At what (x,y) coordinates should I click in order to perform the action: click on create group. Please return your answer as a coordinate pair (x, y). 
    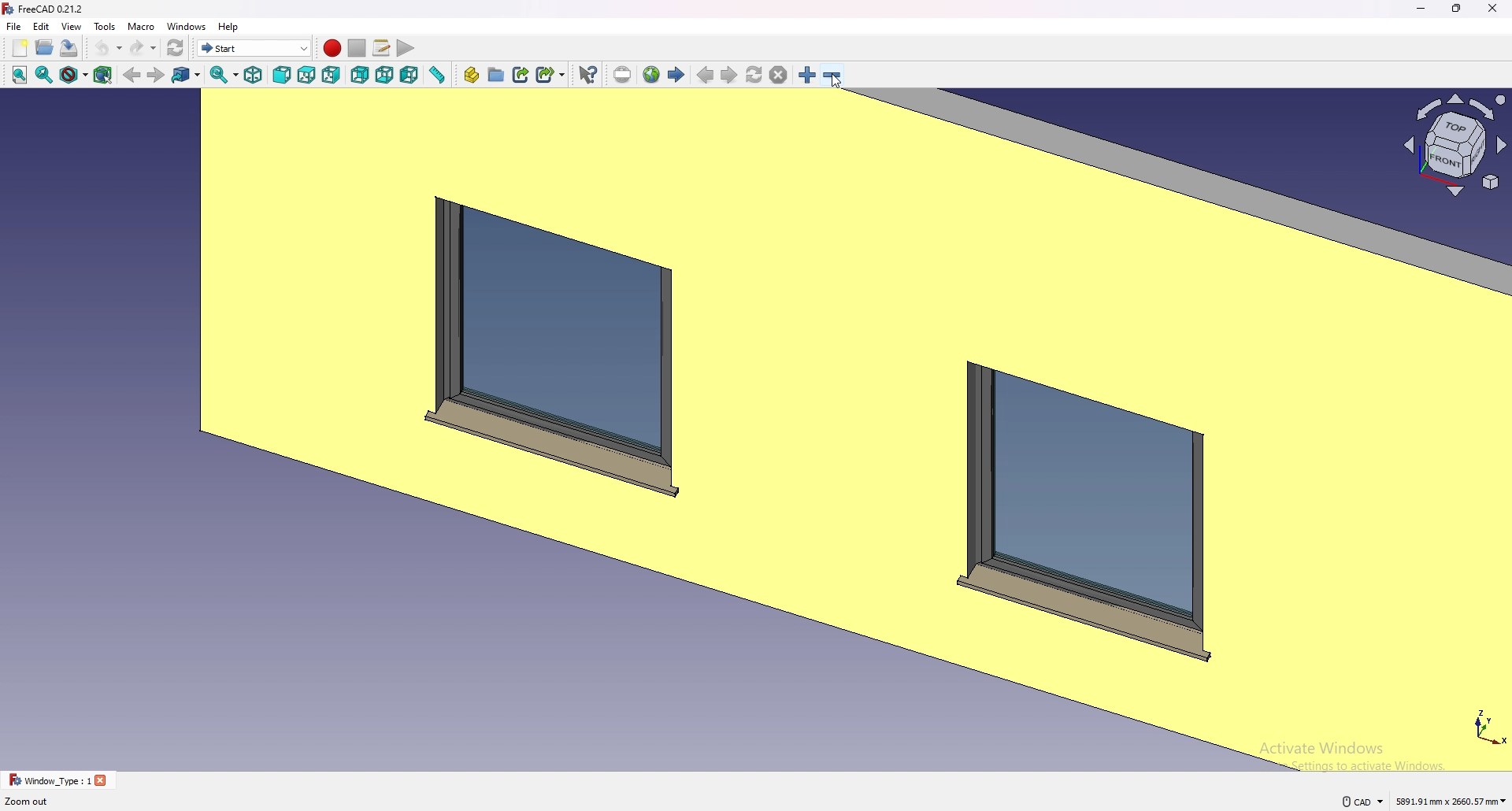
    Looking at the image, I should click on (497, 74).